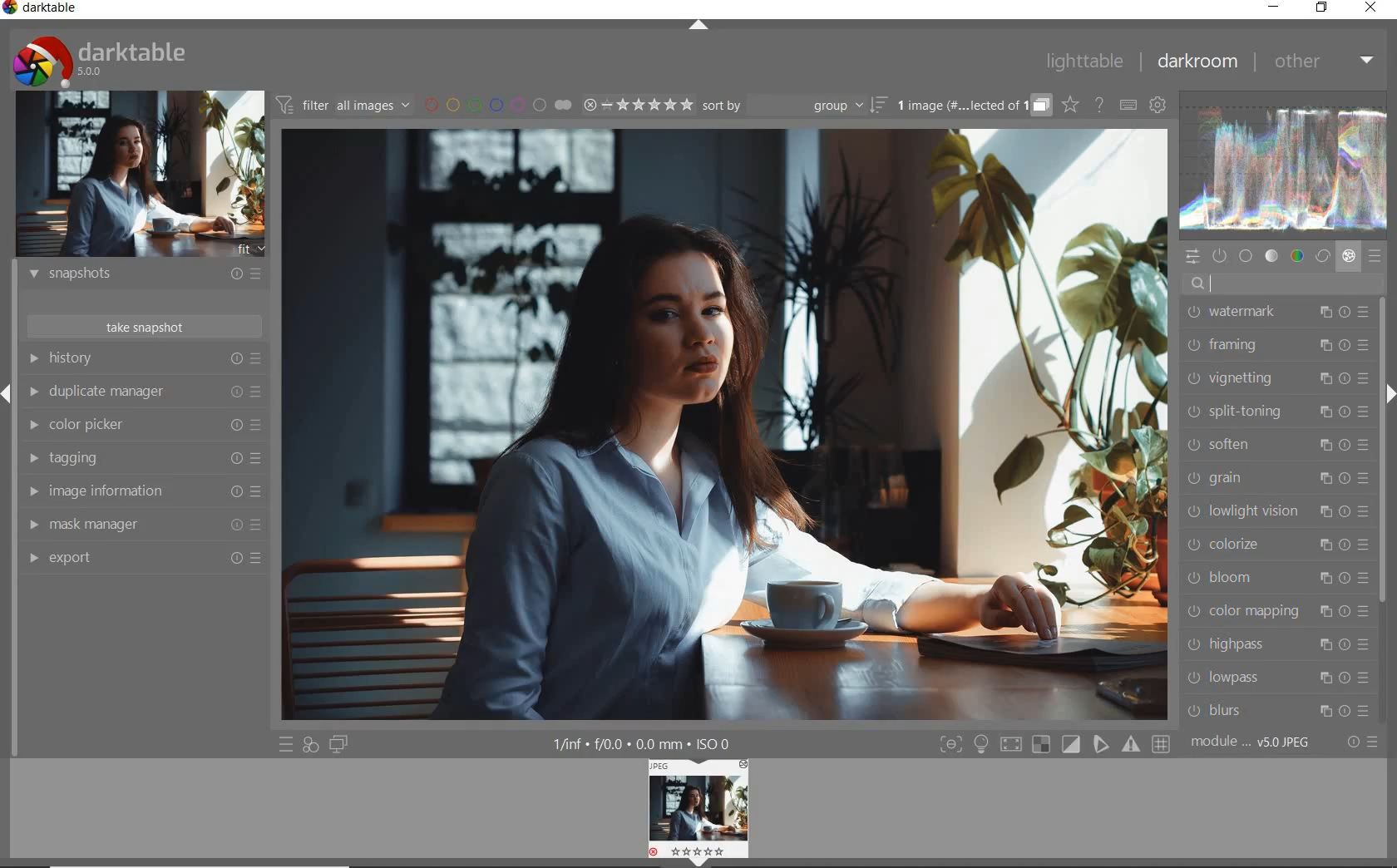 The height and width of the screenshot is (868, 1397). What do you see at coordinates (140, 174) in the screenshot?
I see `image preview` at bounding box center [140, 174].